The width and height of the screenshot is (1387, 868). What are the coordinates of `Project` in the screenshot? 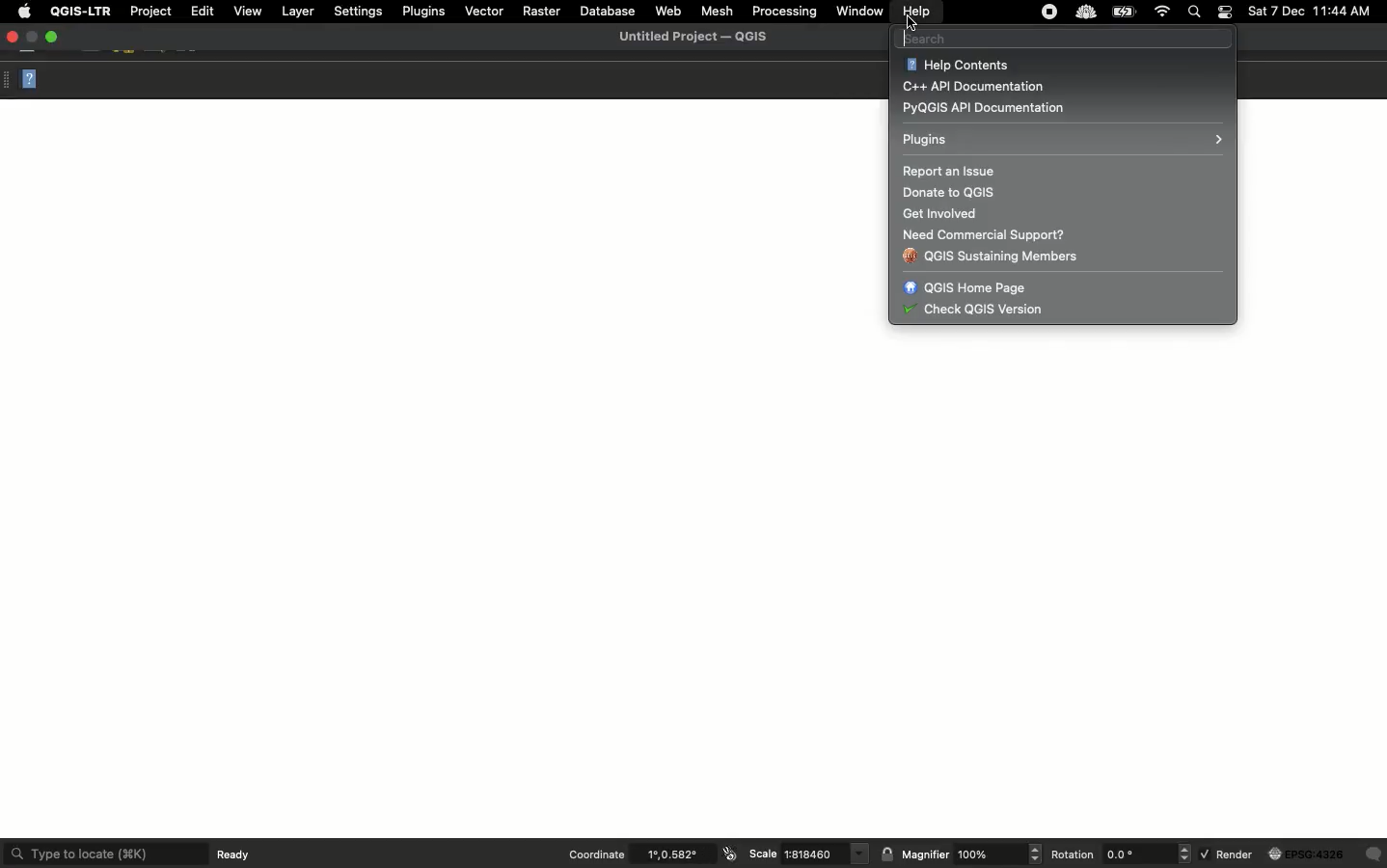 It's located at (150, 12).